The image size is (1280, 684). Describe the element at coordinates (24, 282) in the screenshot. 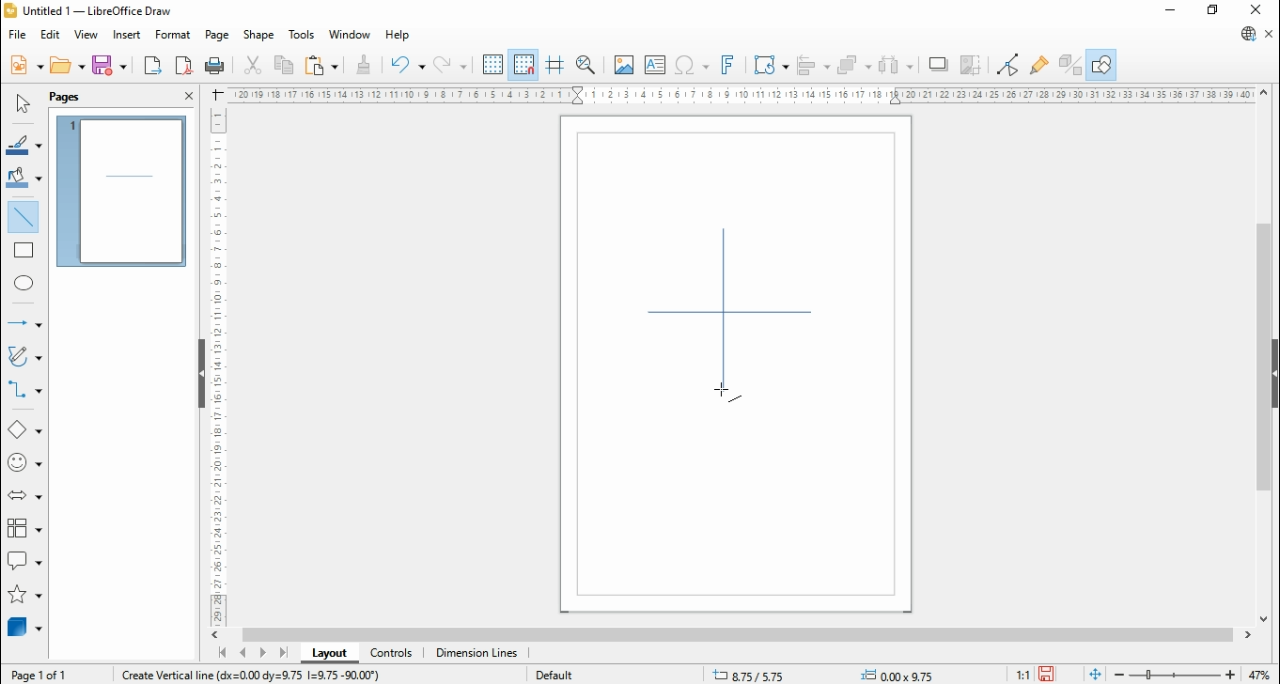

I see `ellipse` at that location.